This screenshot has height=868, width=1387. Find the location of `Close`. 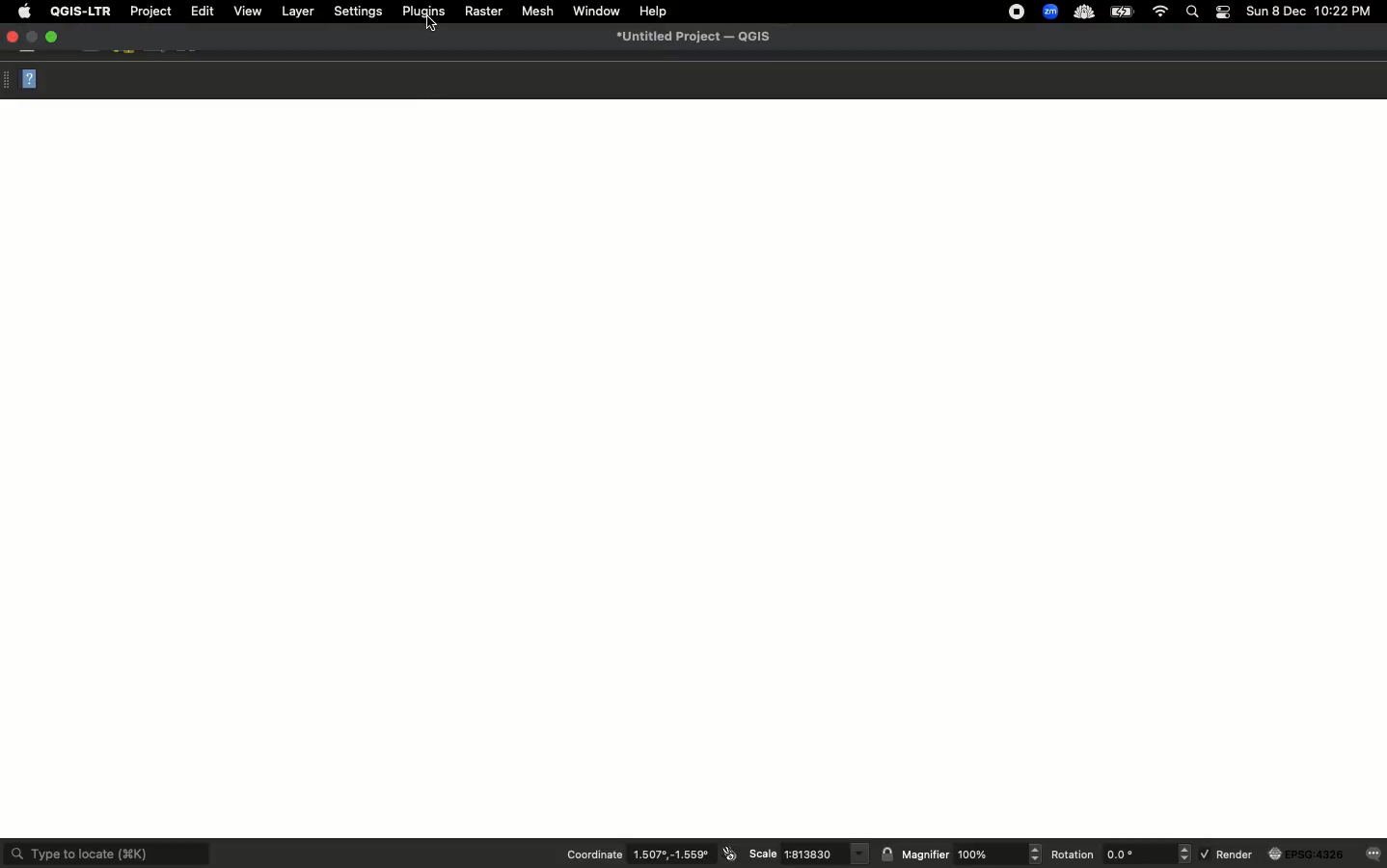

Close is located at coordinates (26, 78).